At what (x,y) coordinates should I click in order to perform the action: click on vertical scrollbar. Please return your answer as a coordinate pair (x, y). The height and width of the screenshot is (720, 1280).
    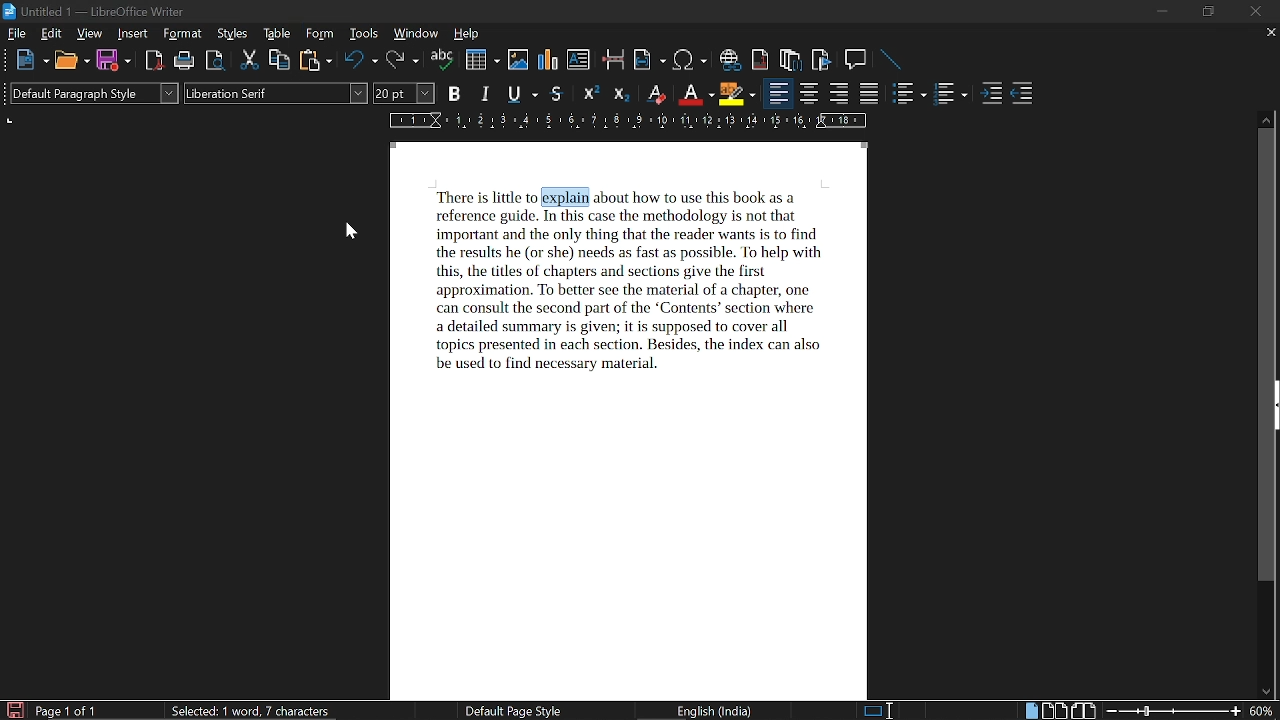
    Looking at the image, I should click on (1270, 357).